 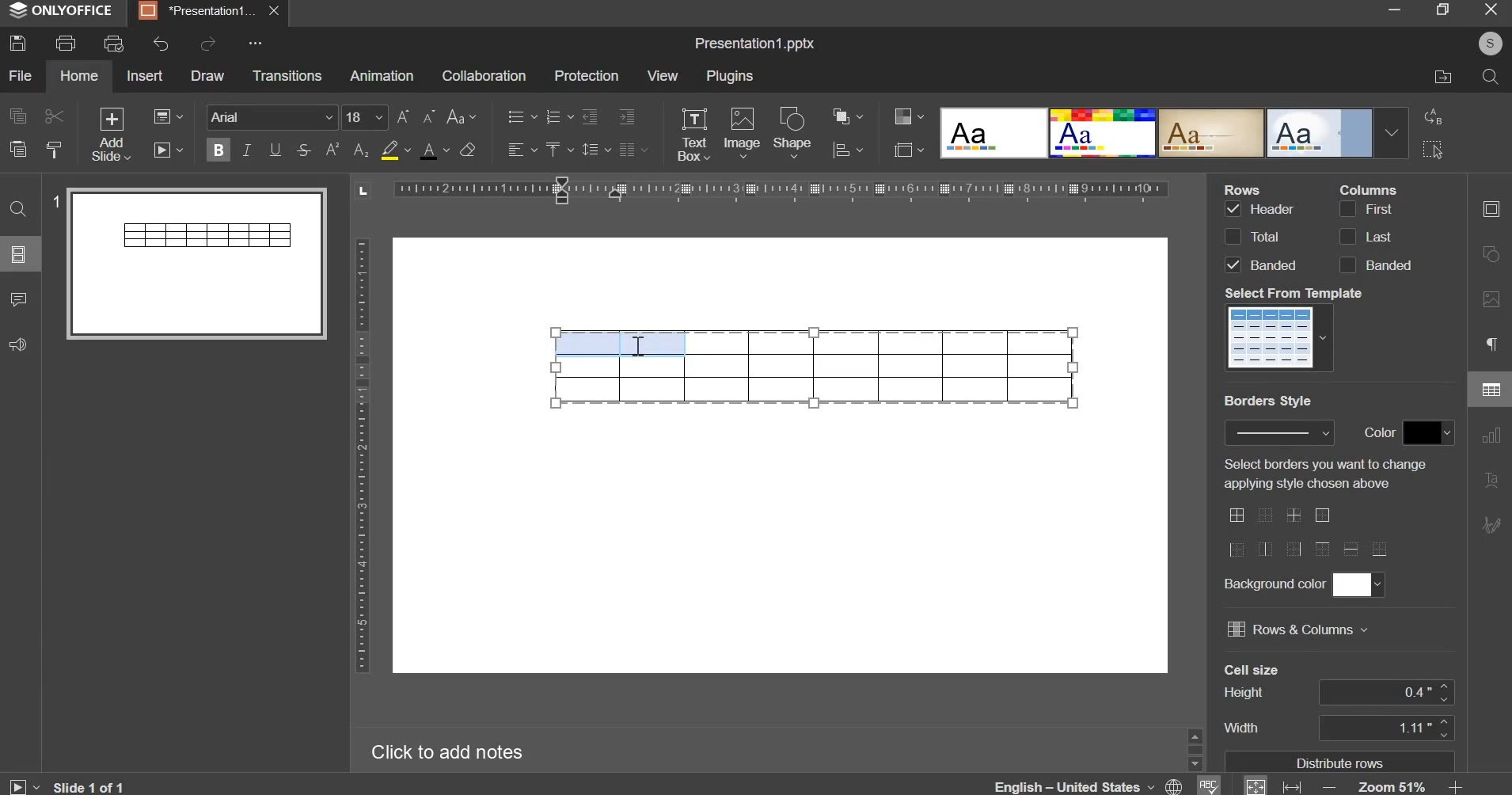 I want to click on change case, so click(x=461, y=117).